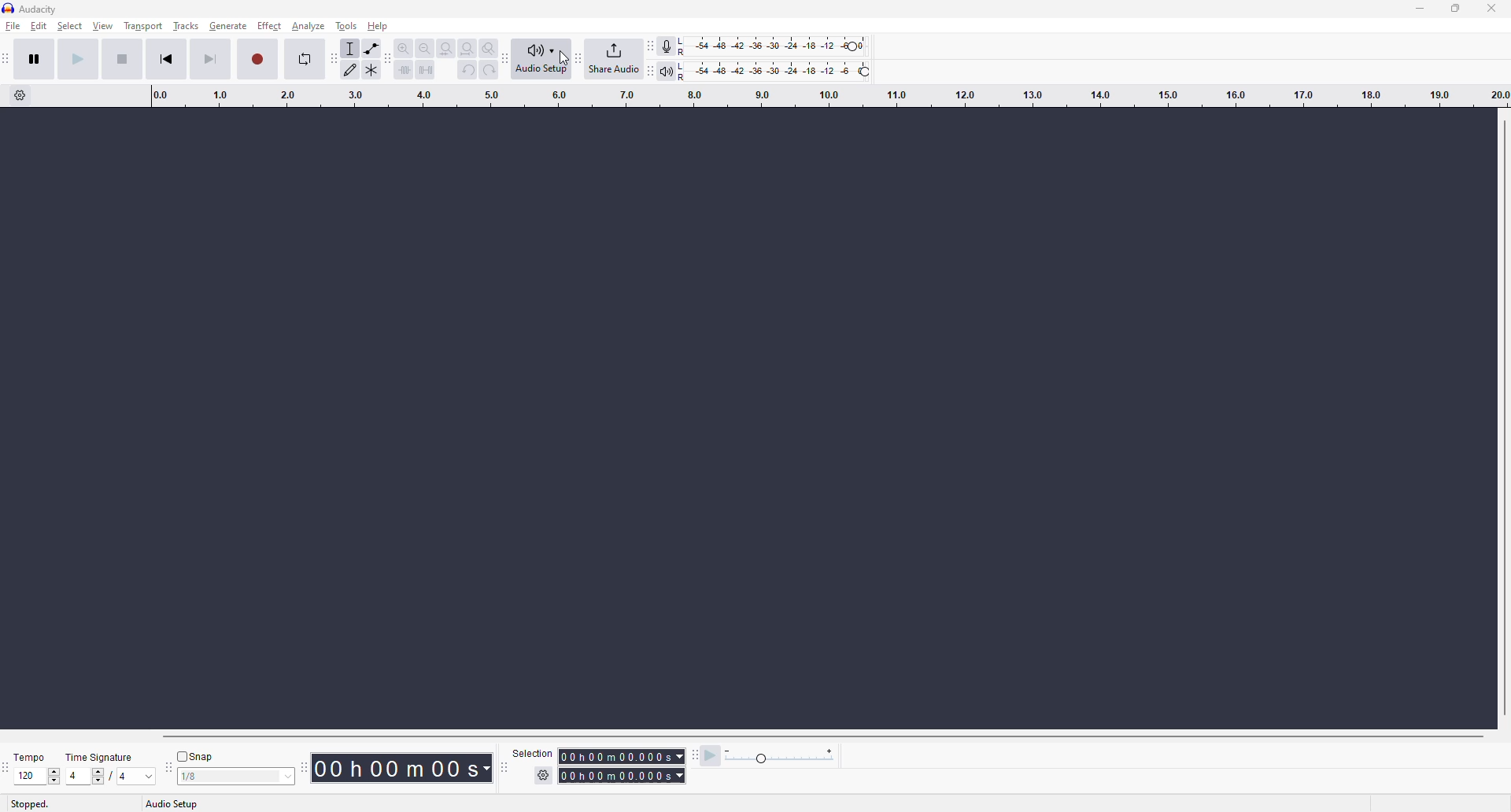 This screenshot has width=1511, height=812. Describe the element at coordinates (183, 28) in the screenshot. I see `tracks` at that location.